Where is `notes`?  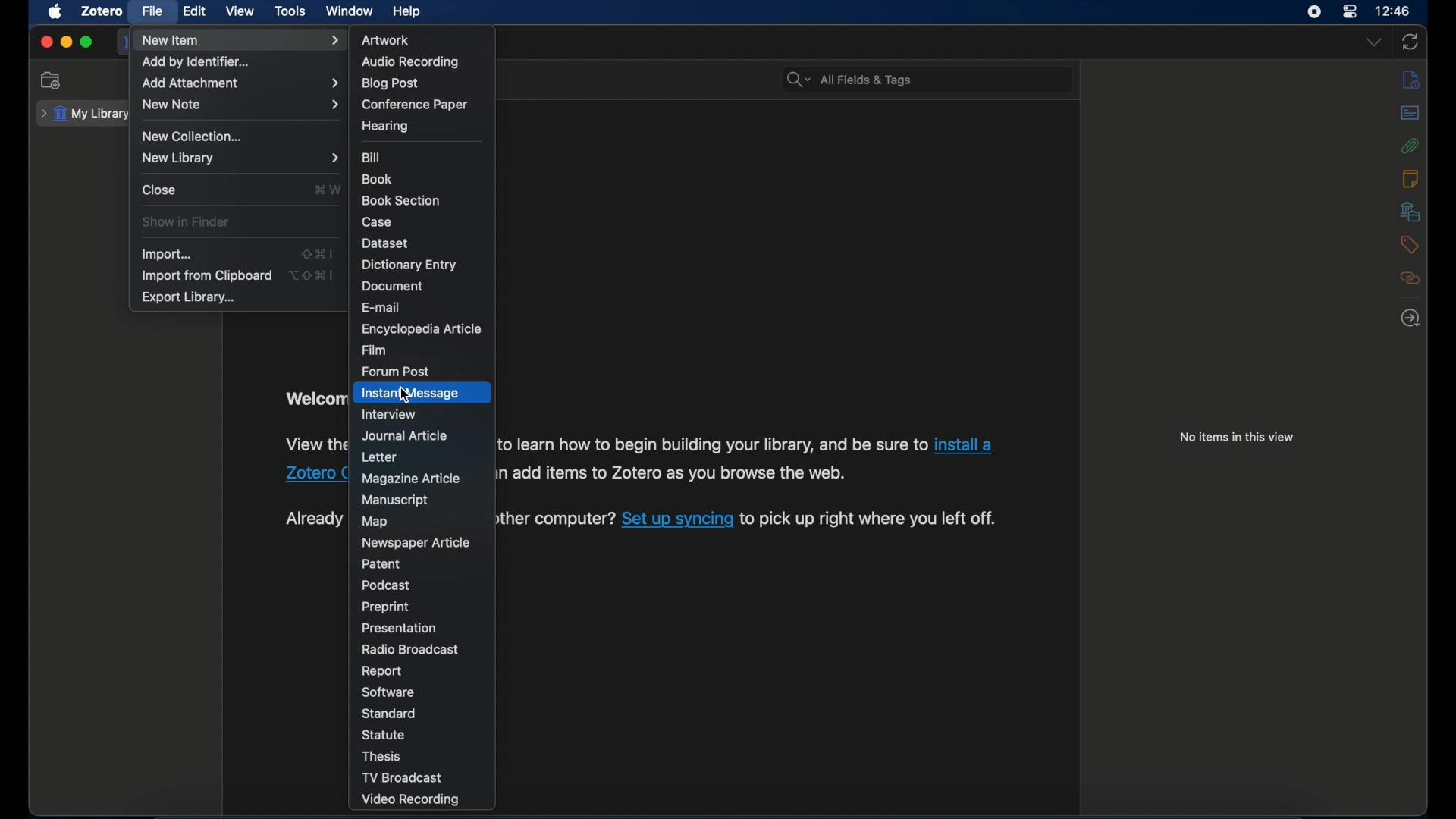
notes is located at coordinates (1411, 178).